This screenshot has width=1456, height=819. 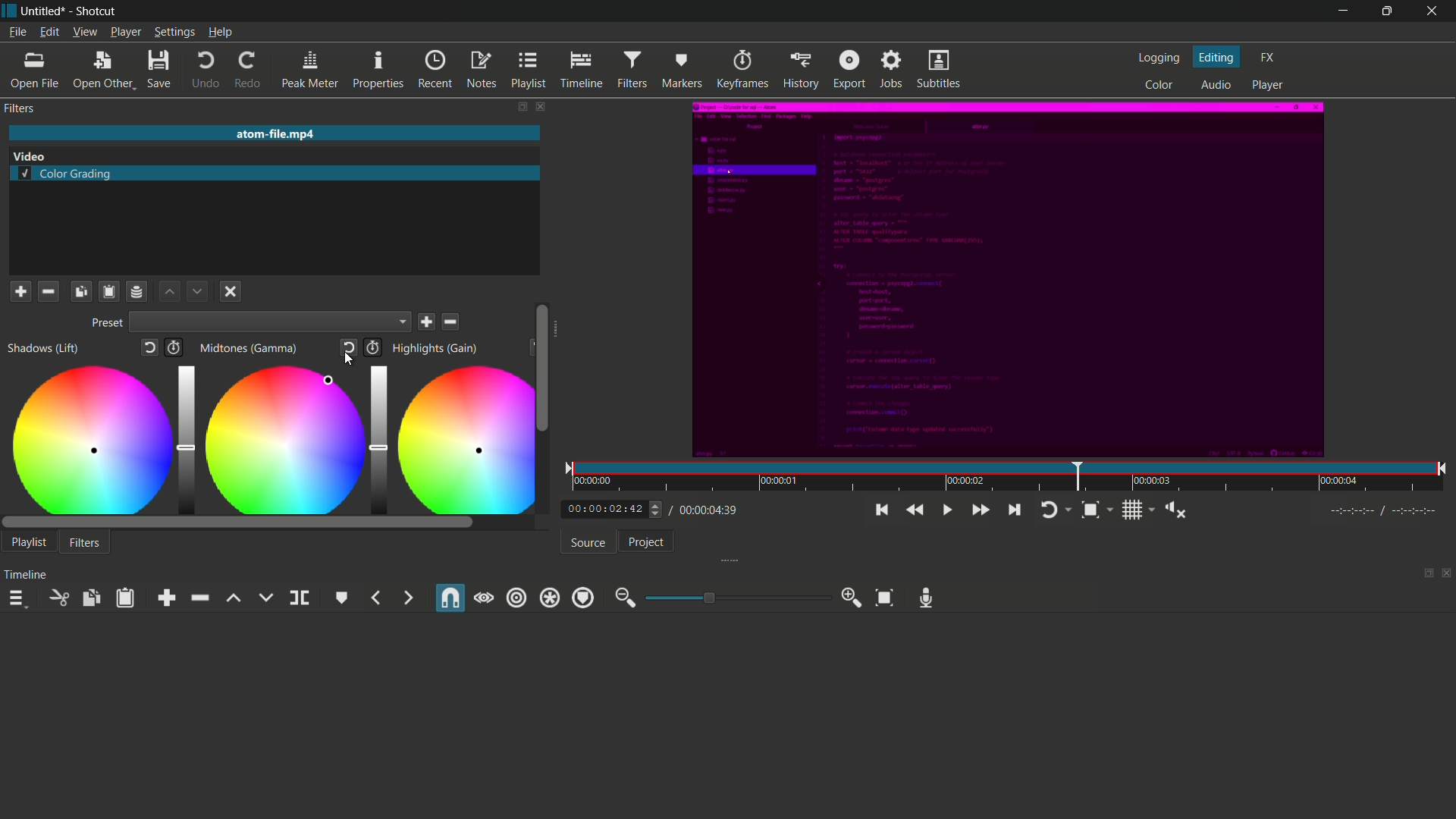 I want to click on adjustment bar, so click(x=185, y=438).